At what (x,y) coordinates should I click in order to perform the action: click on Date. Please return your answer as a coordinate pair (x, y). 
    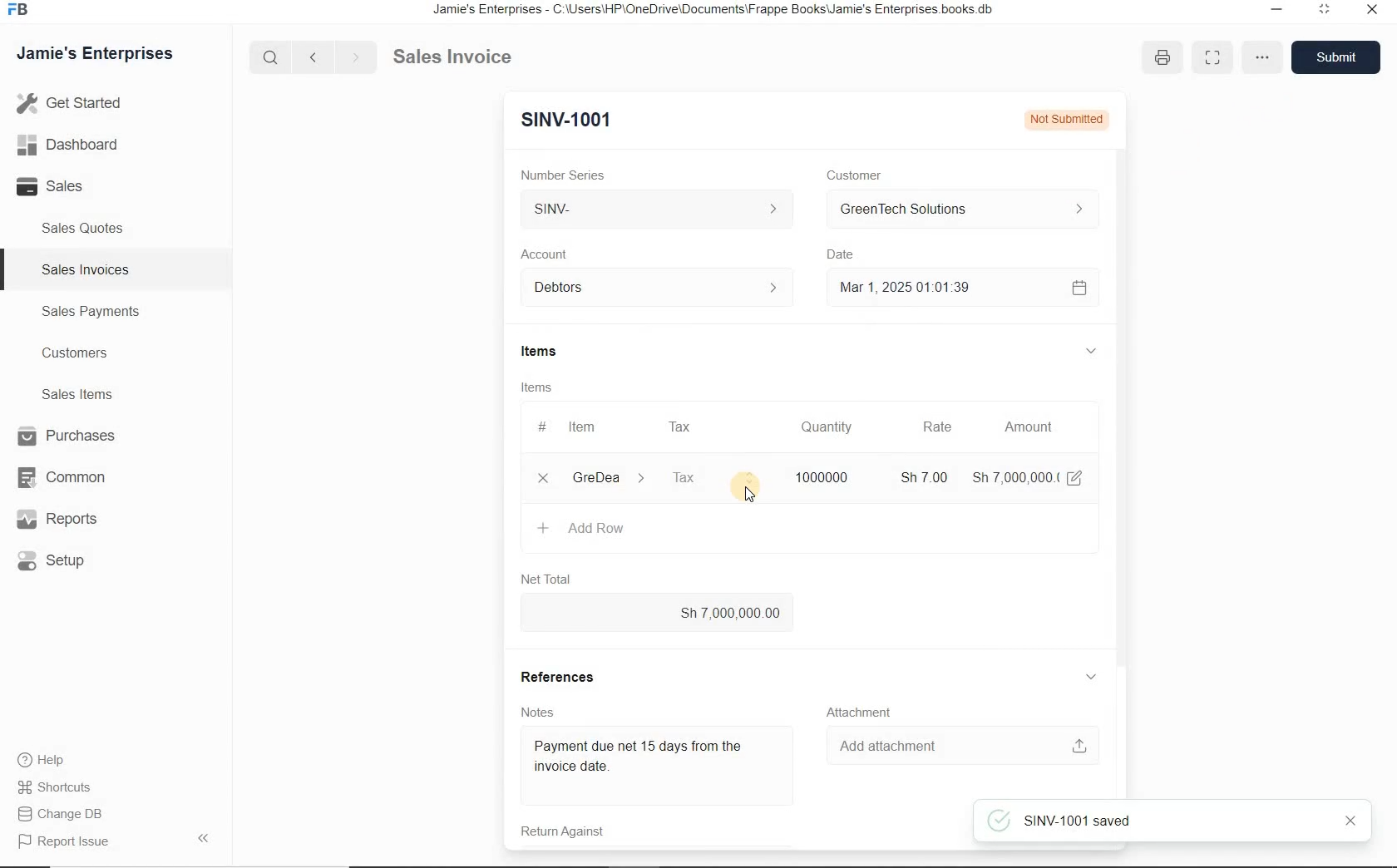
    Looking at the image, I should click on (842, 254).